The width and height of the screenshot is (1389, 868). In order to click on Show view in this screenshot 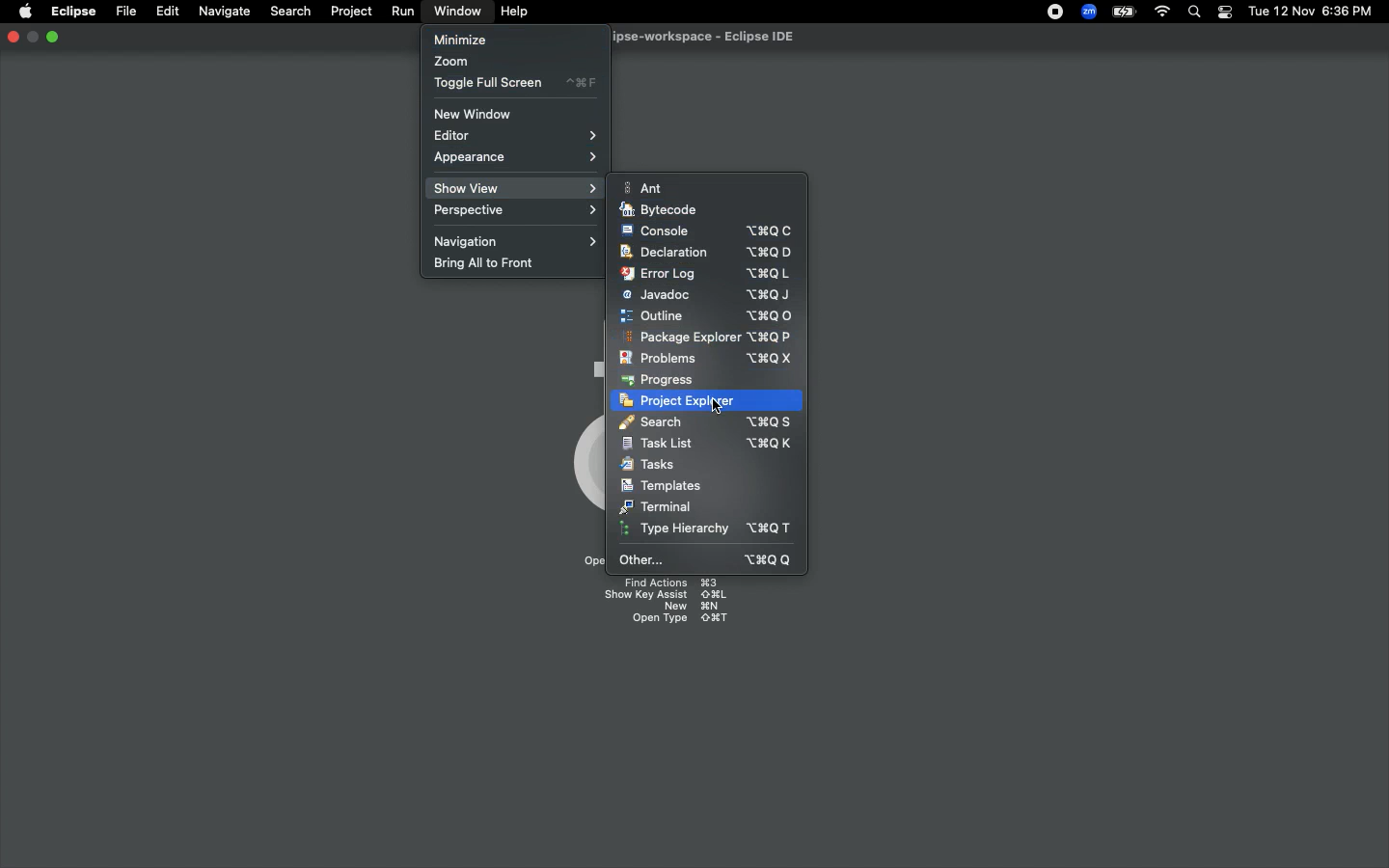, I will do `click(519, 188)`.